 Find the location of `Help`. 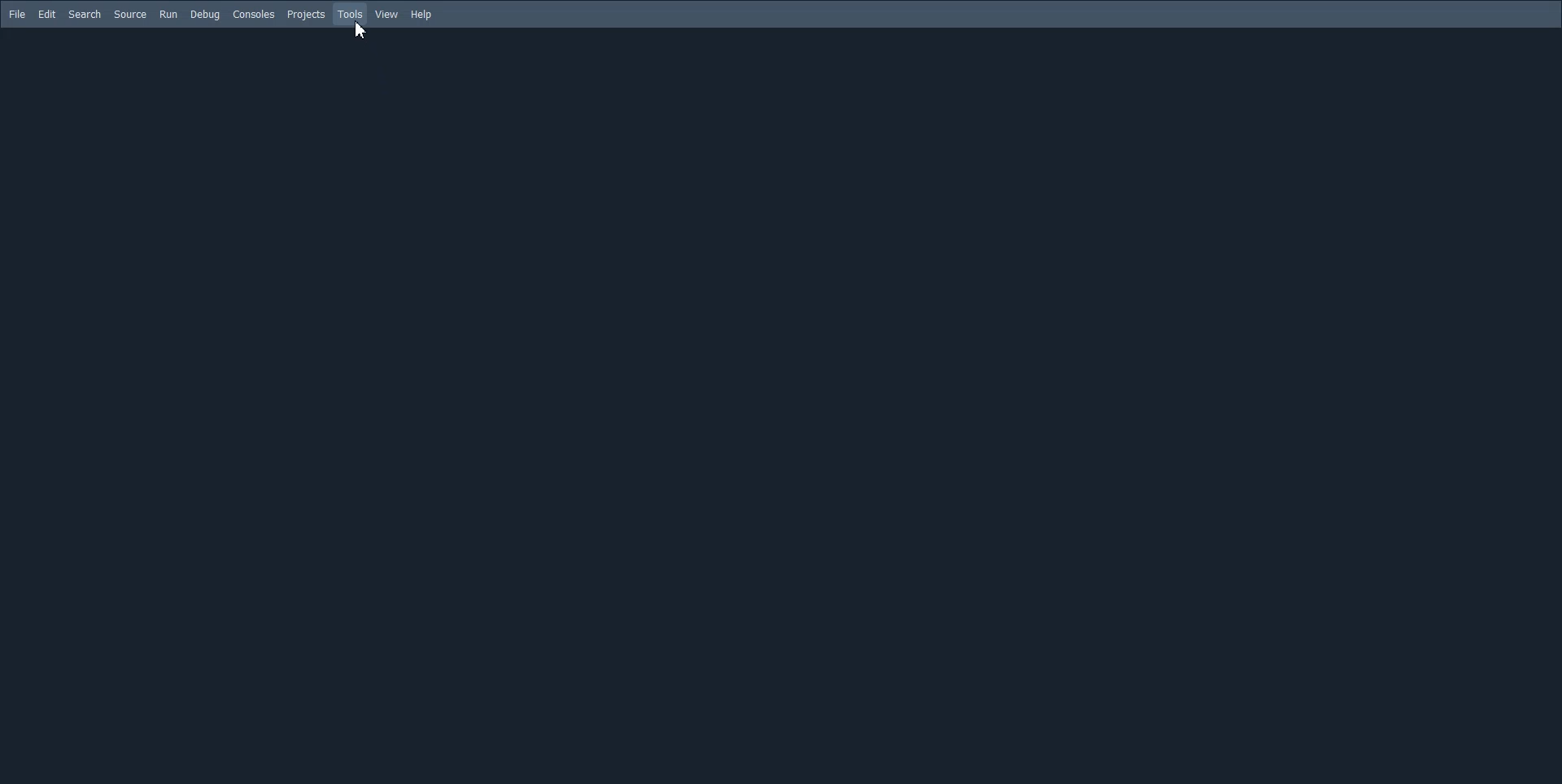

Help is located at coordinates (422, 15).